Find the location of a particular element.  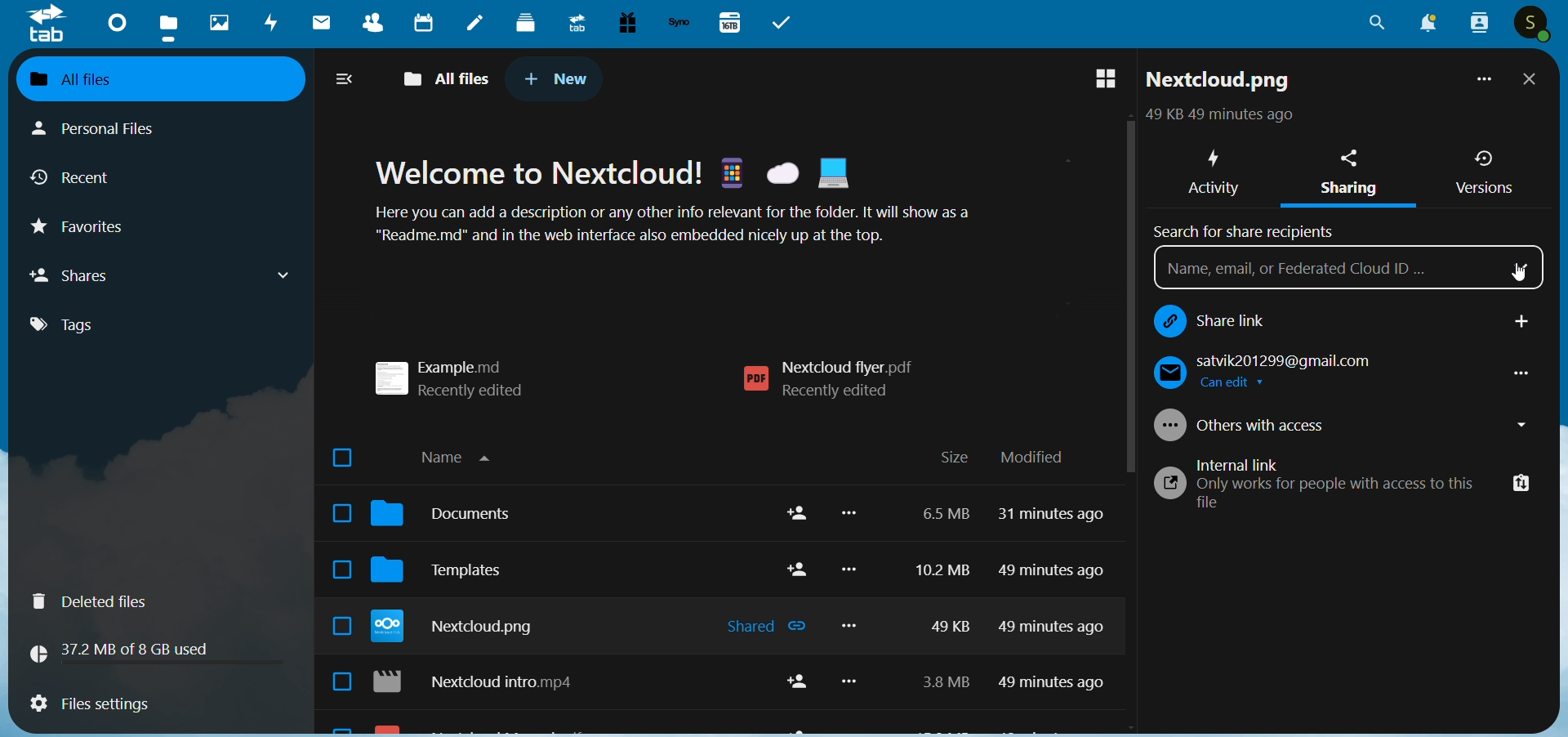

templates is located at coordinates (452, 575).